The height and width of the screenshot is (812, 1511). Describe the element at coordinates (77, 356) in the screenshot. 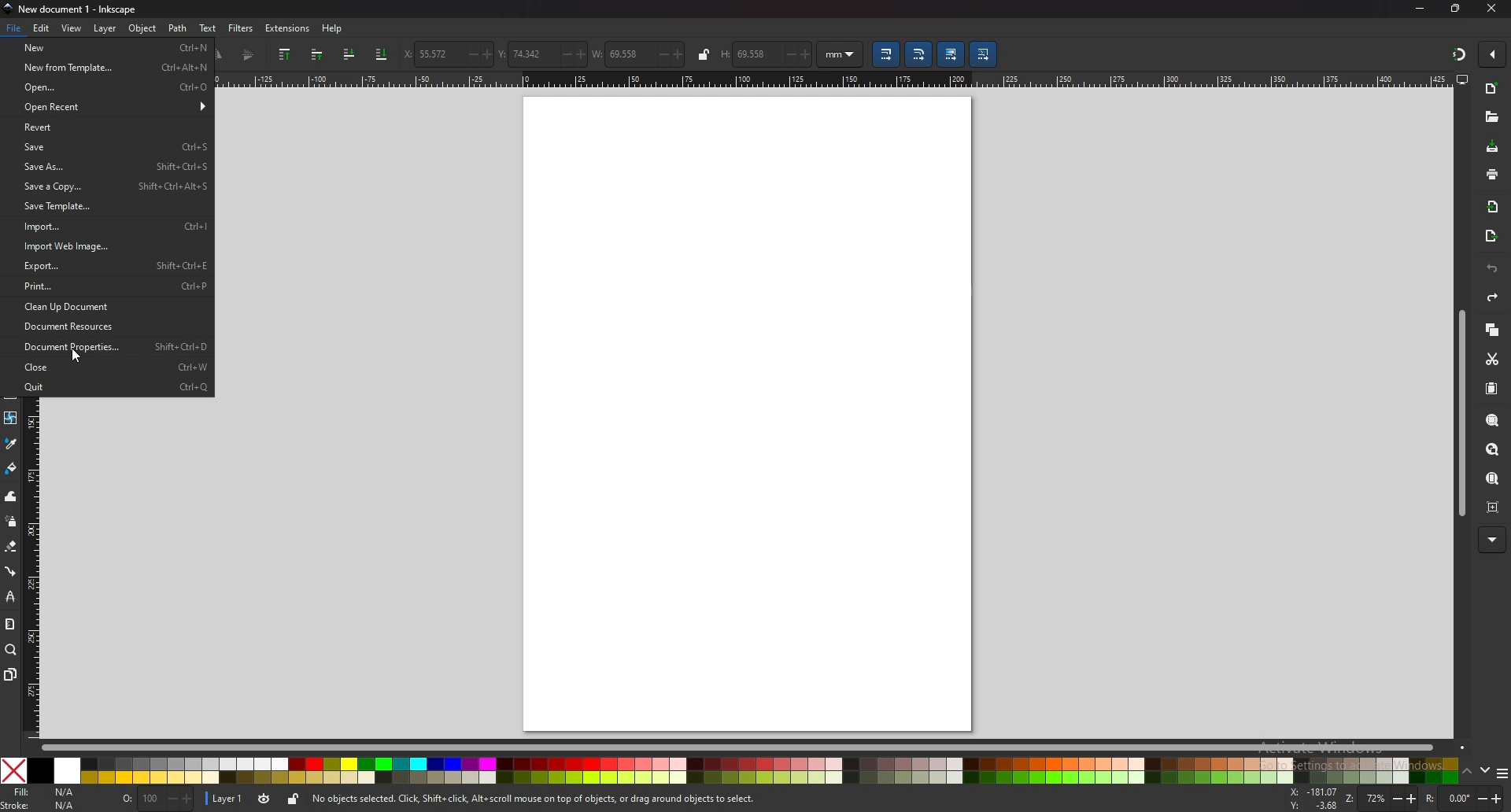

I see `Cursor` at that location.